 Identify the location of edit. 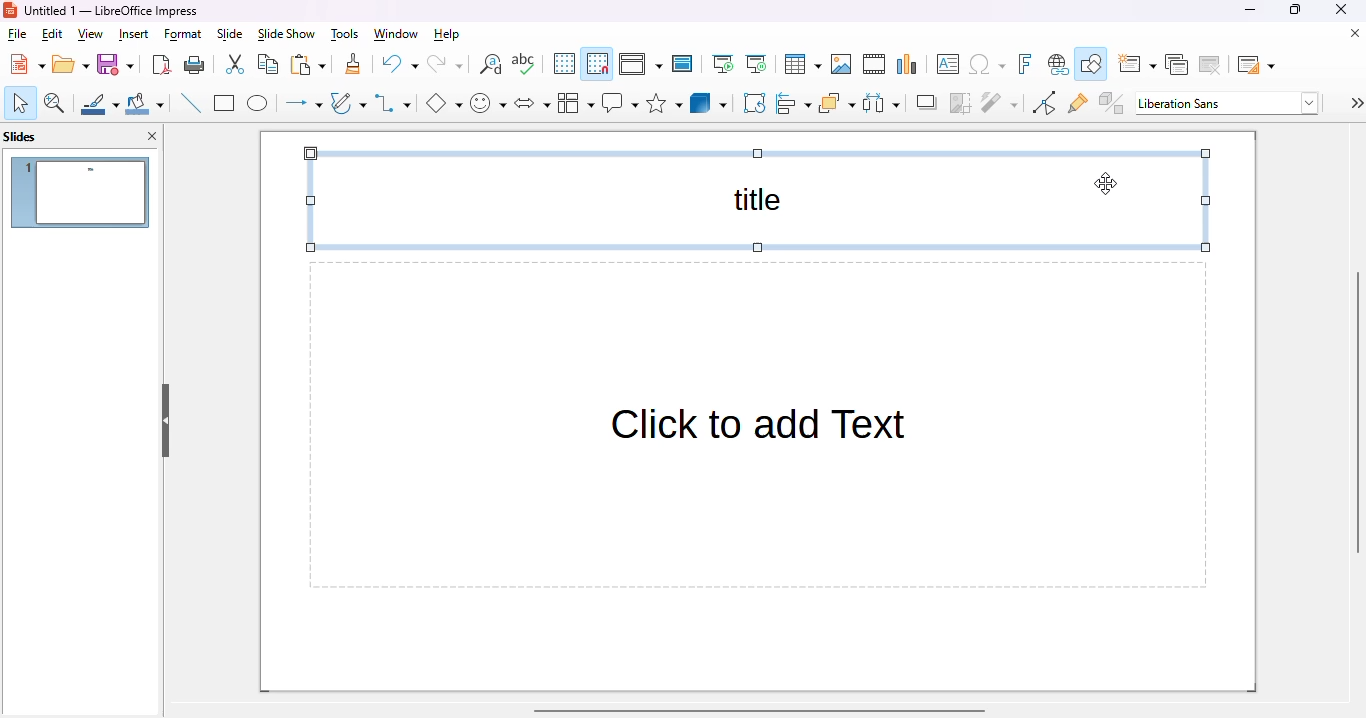
(53, 34).